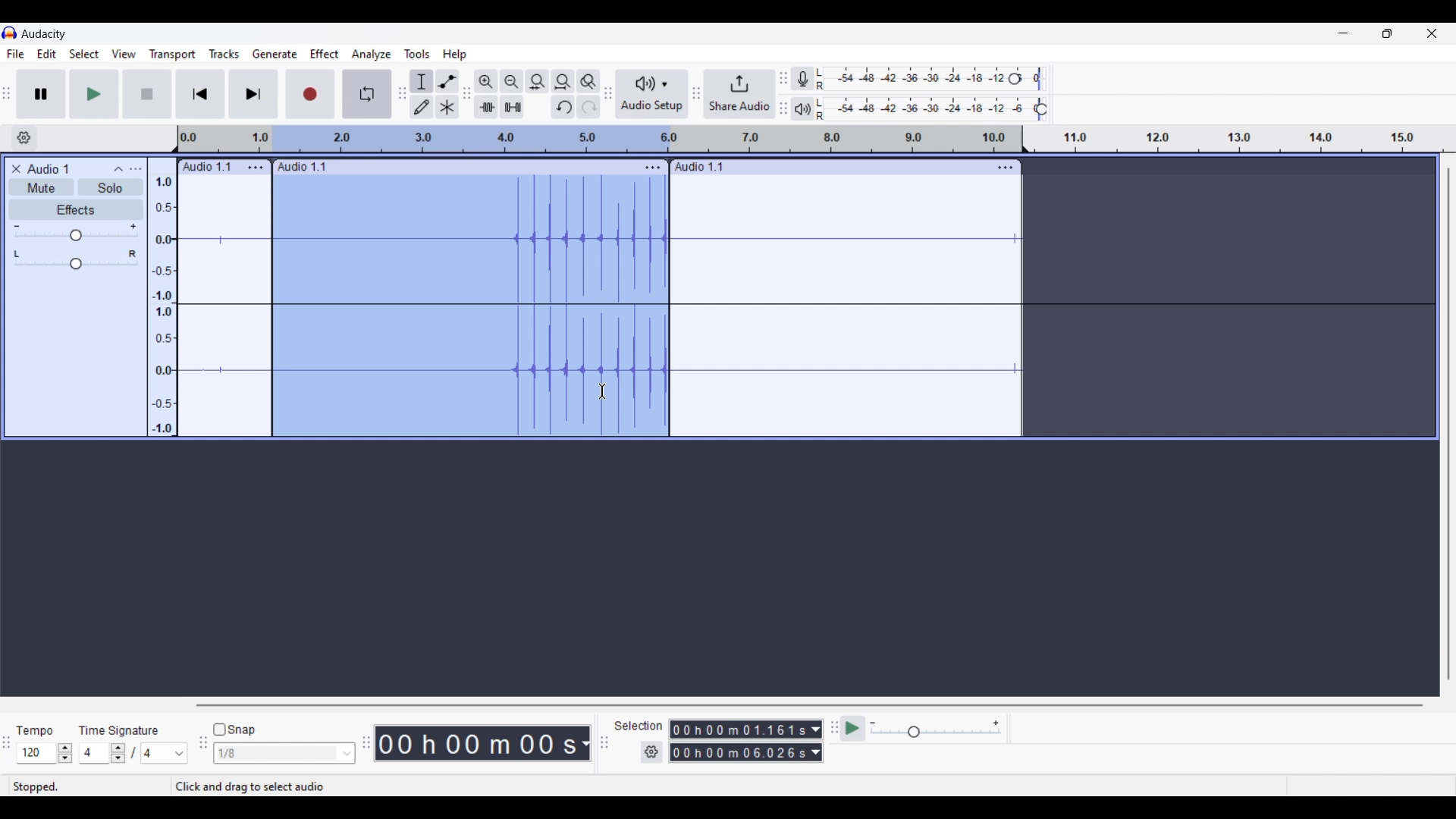 Image resolution: width=1456 pixels, height=819 pixels. Describe the element at coordinates (94, 93) in the screenshot. I see `Play/Play once` at that location.